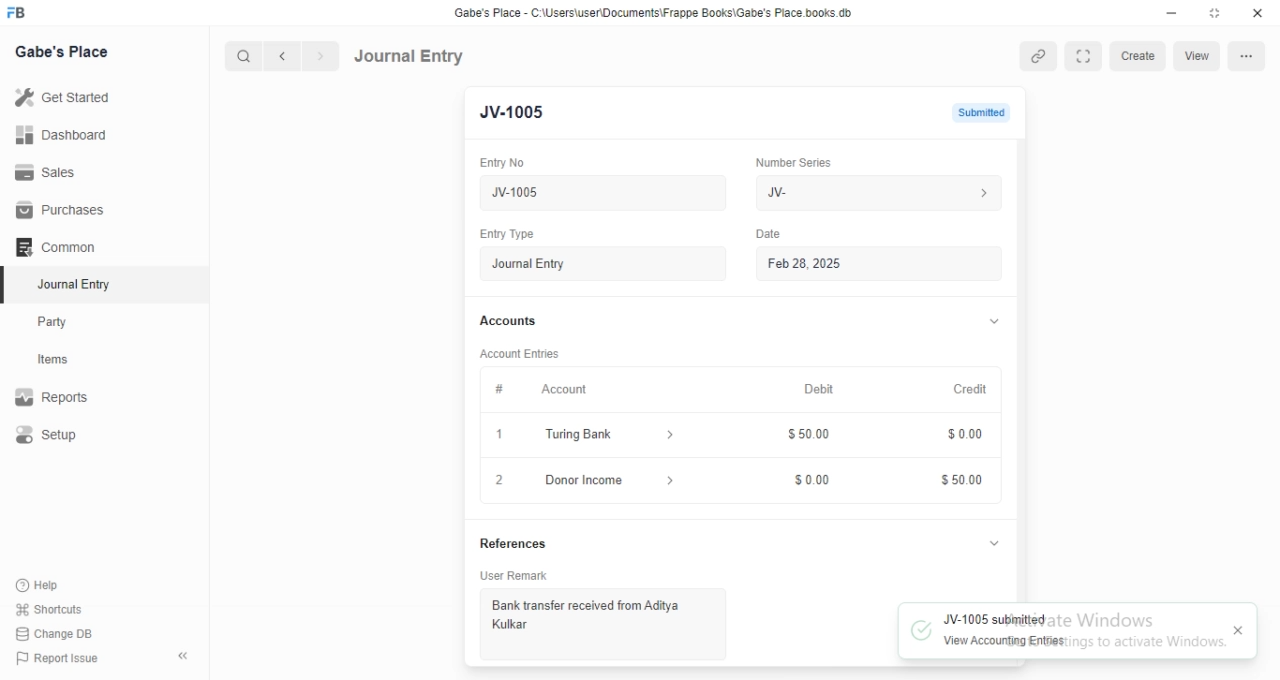 The height and width of the screenshot is (680, 1280). I want to click on Accounts., so click(518, 322).